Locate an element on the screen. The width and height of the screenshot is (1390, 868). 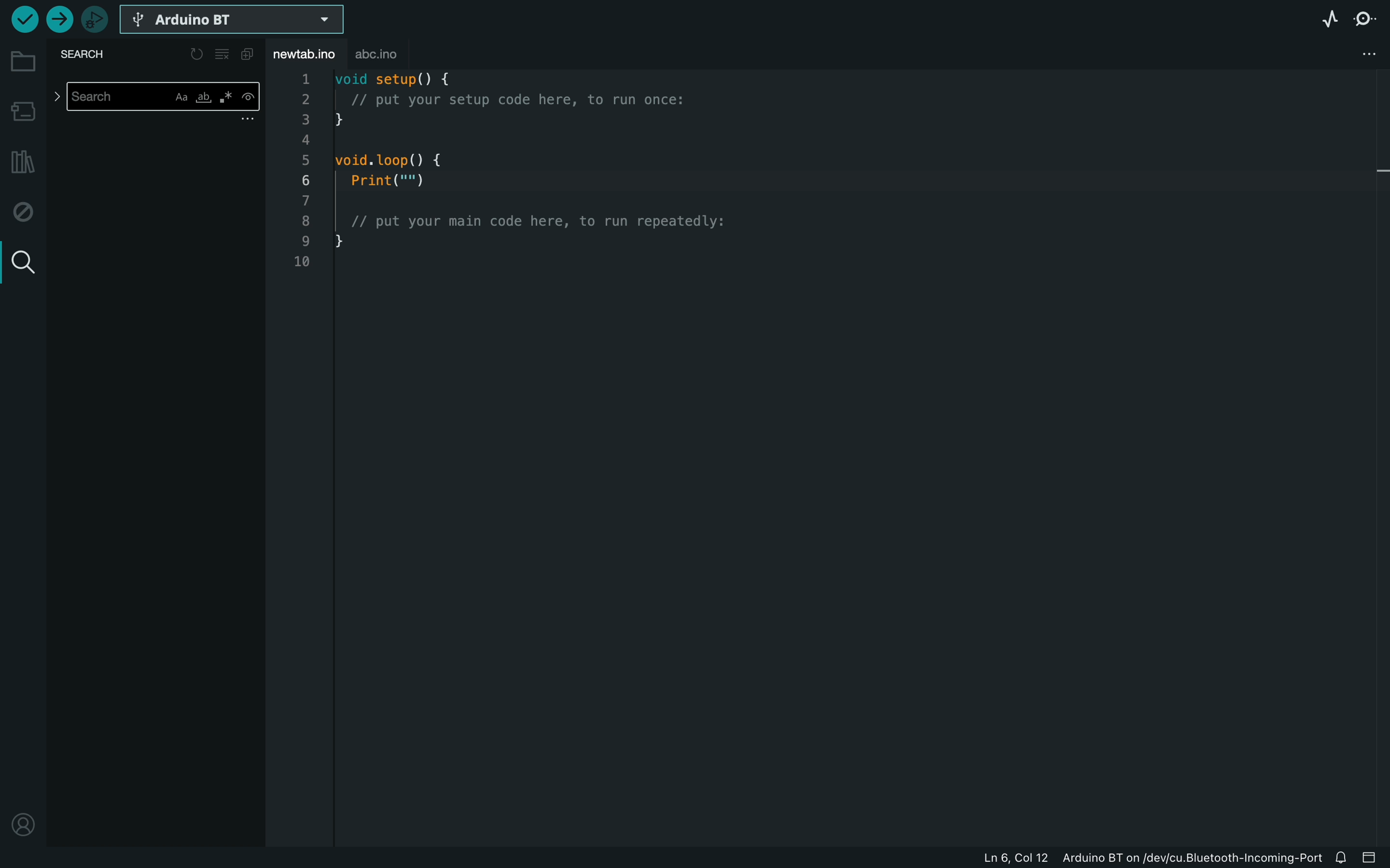
profile is located at coordinates (23, 818).